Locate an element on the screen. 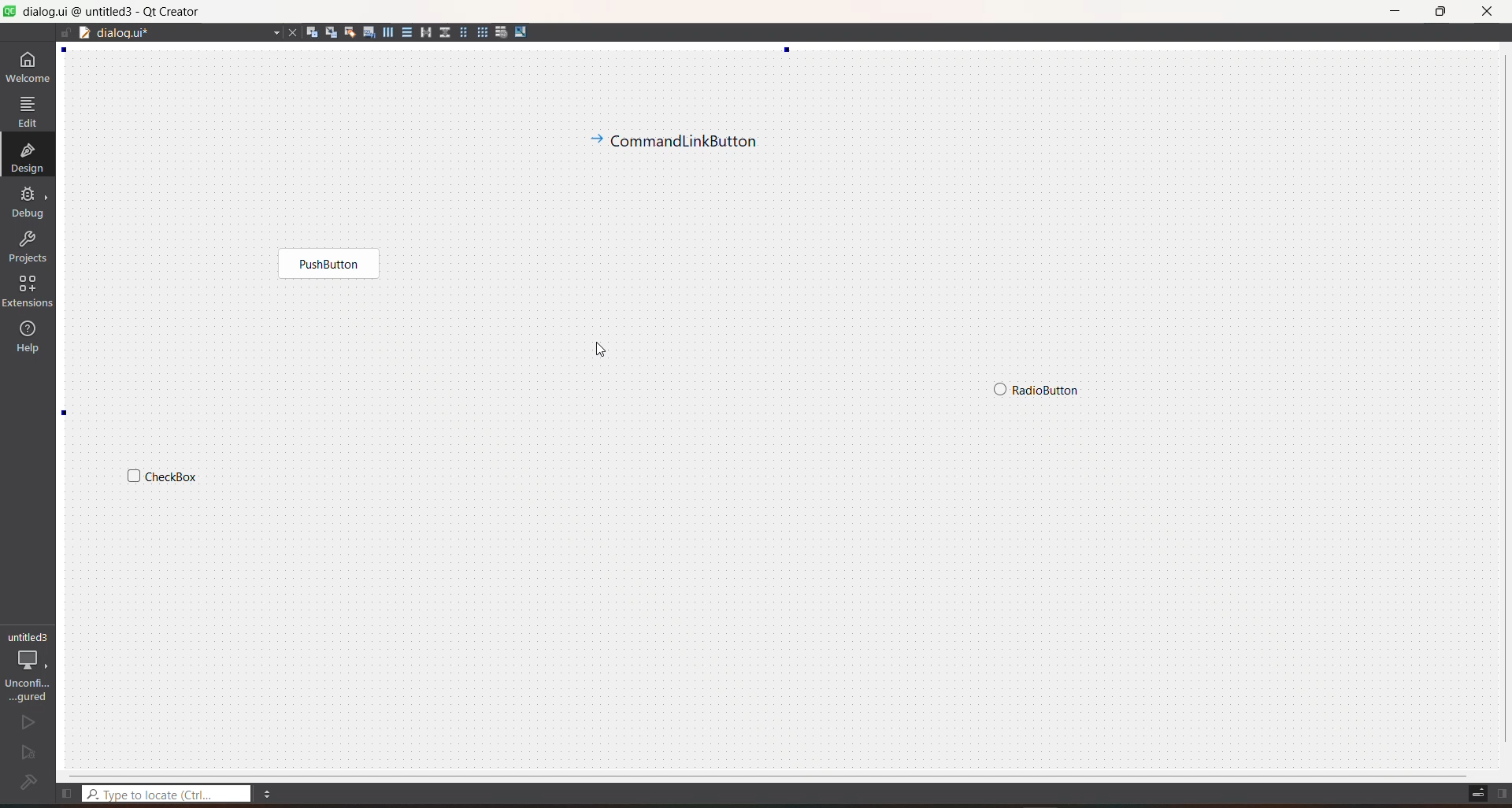 The image size is (1512, 808). widget 3 is located at coordinates (327, 267).